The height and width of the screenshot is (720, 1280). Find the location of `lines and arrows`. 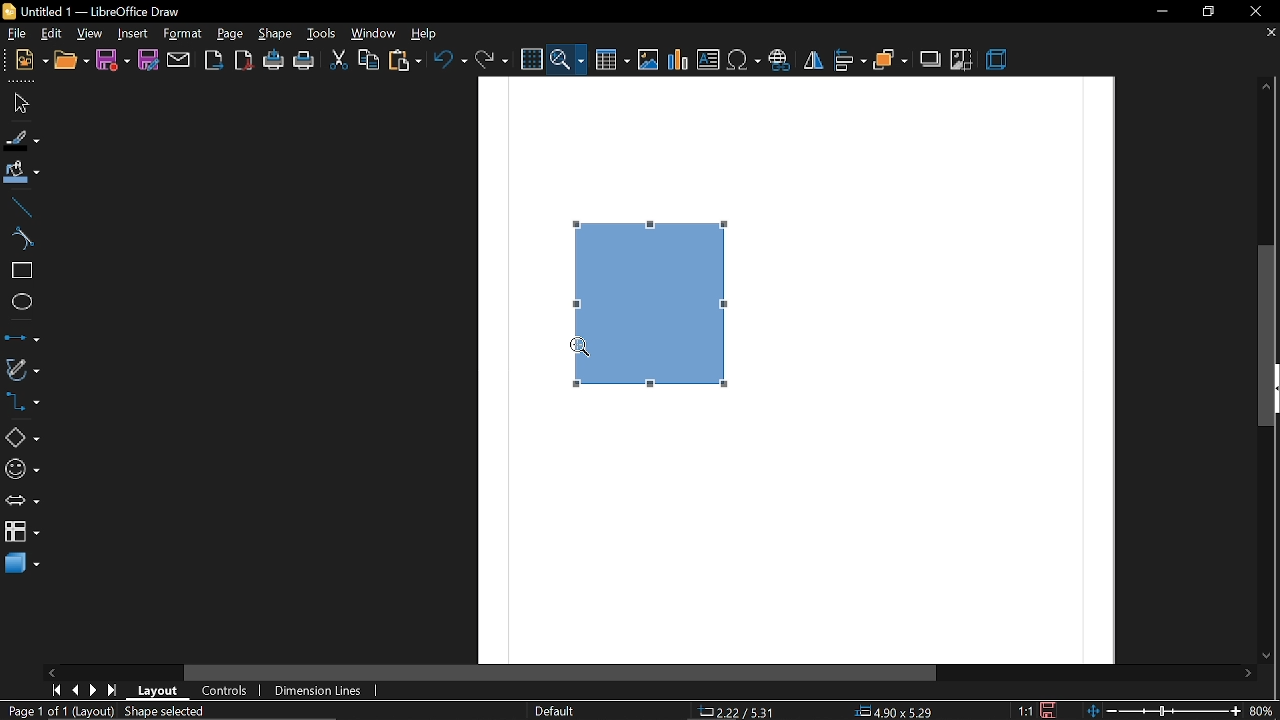

lines and arrows is located at coordinates (20, 337).